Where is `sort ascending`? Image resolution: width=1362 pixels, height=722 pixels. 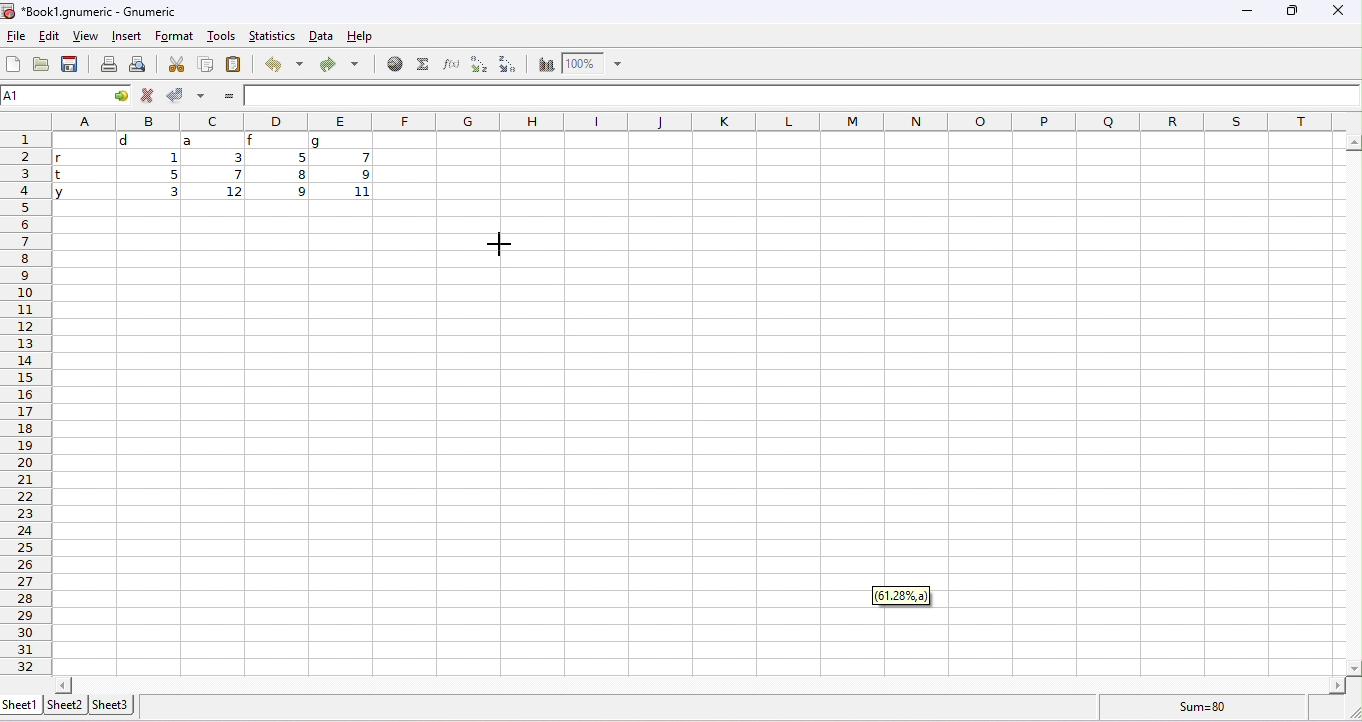 sort ascending is located at coordinates (477, 64).